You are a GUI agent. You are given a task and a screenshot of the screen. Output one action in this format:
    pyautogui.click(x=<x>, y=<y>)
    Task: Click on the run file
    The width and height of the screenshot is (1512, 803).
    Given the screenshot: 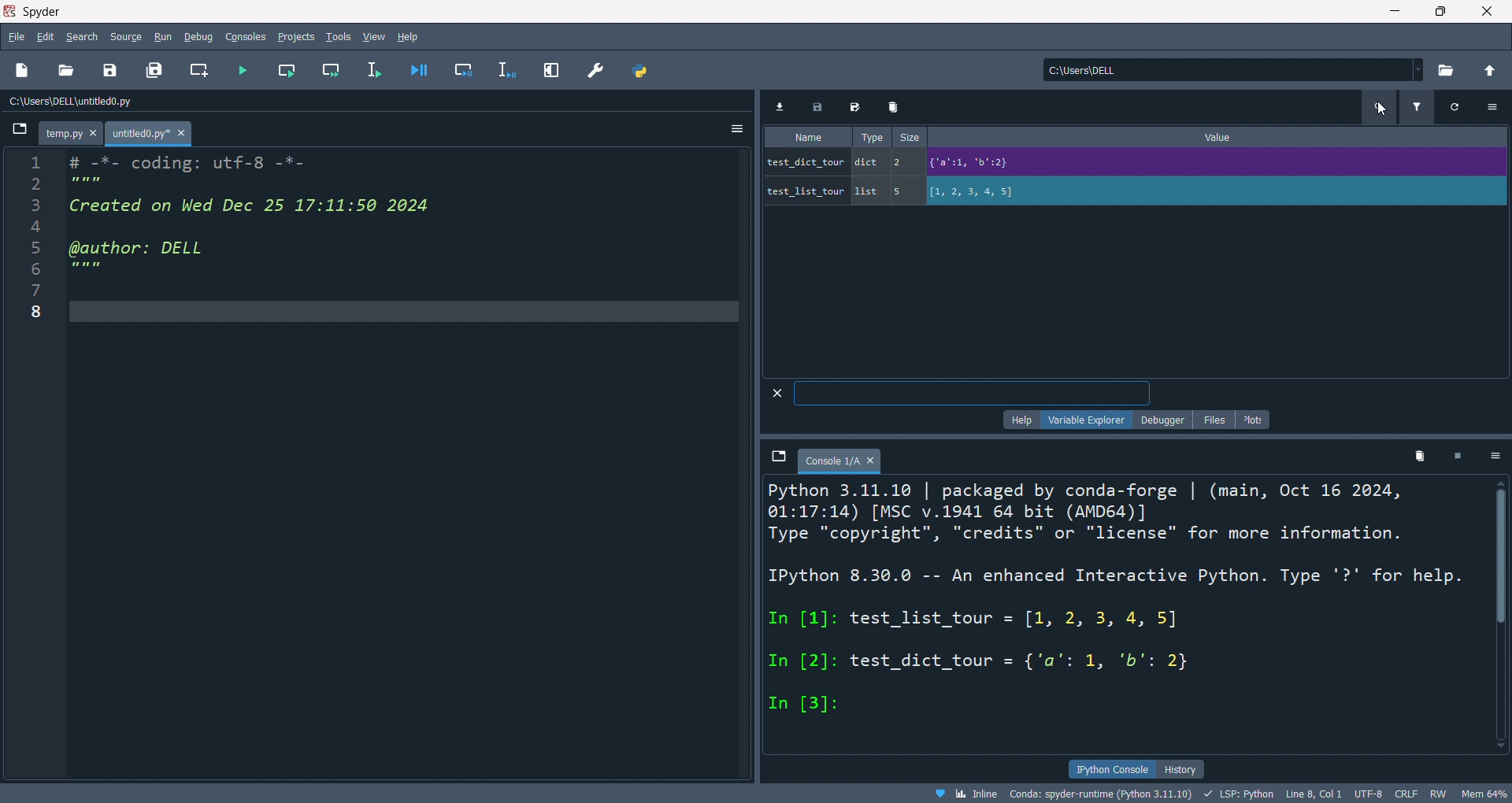 What is the action you would take?
    pyautogui.click(x=239, y=71)
    